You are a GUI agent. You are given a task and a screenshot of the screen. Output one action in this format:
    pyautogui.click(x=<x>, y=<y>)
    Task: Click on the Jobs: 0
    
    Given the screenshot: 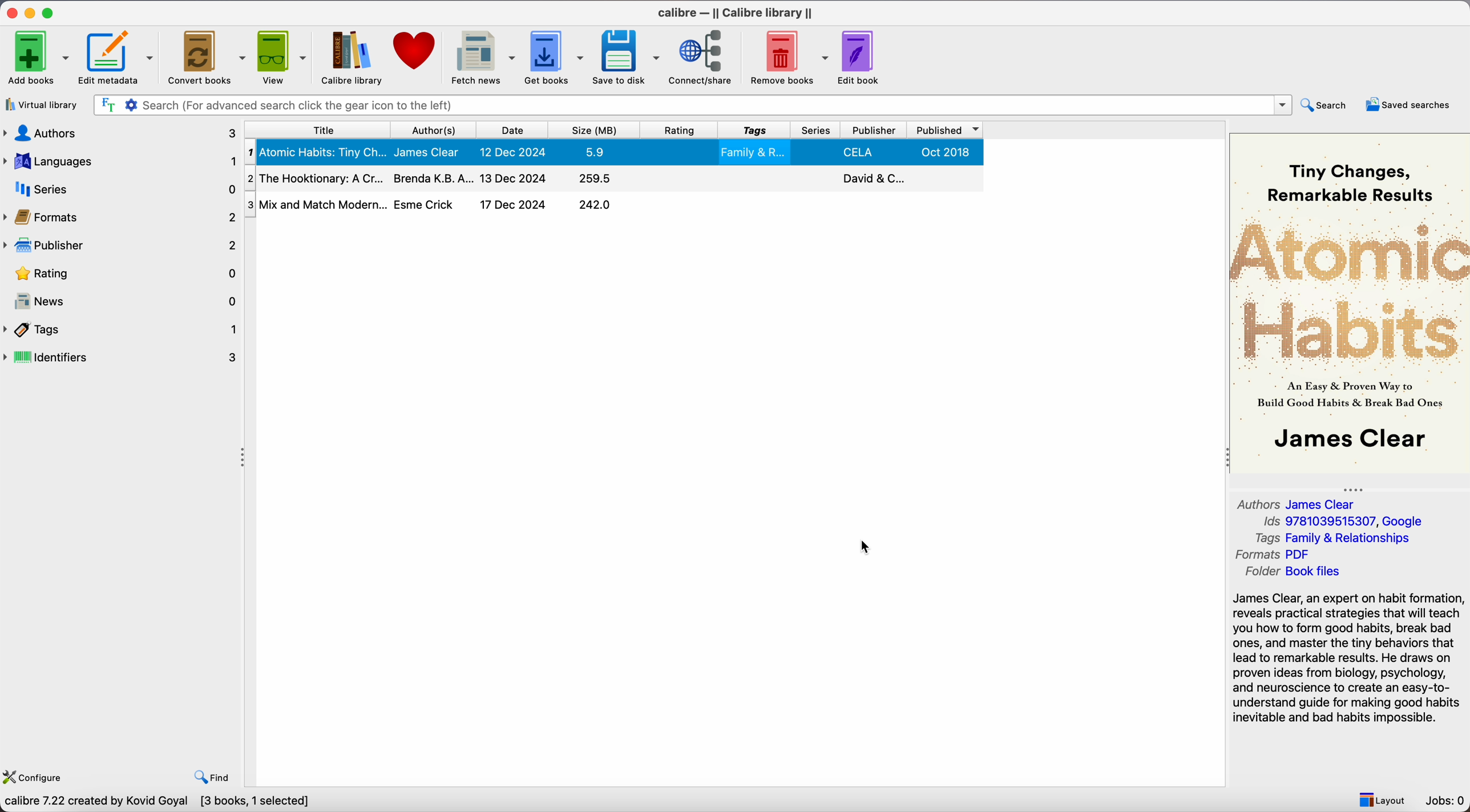 What is the action you would take?
    pyautogui.click(x=1445, y=801)
    